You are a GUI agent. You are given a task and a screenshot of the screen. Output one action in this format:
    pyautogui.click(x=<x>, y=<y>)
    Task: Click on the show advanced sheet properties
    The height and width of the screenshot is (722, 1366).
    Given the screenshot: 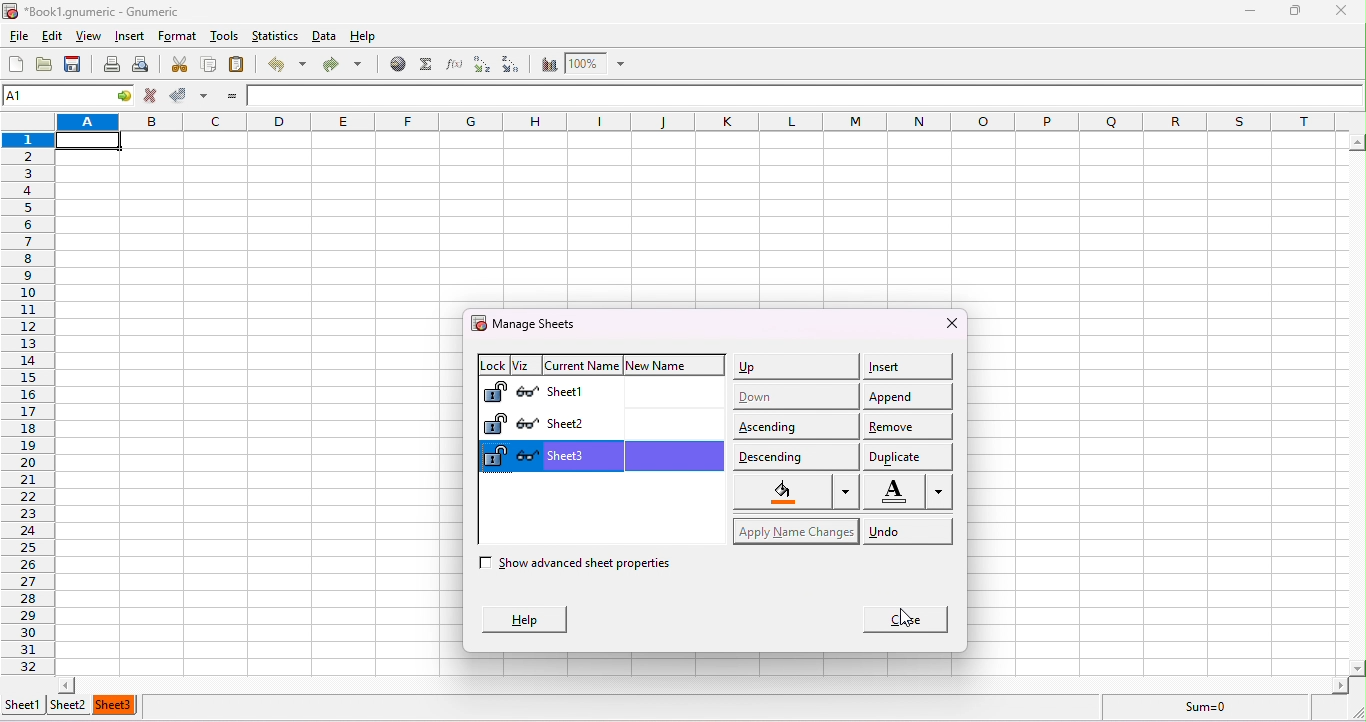 What is the action you would take?
    pyautogui.click(x=601, y=567)
    